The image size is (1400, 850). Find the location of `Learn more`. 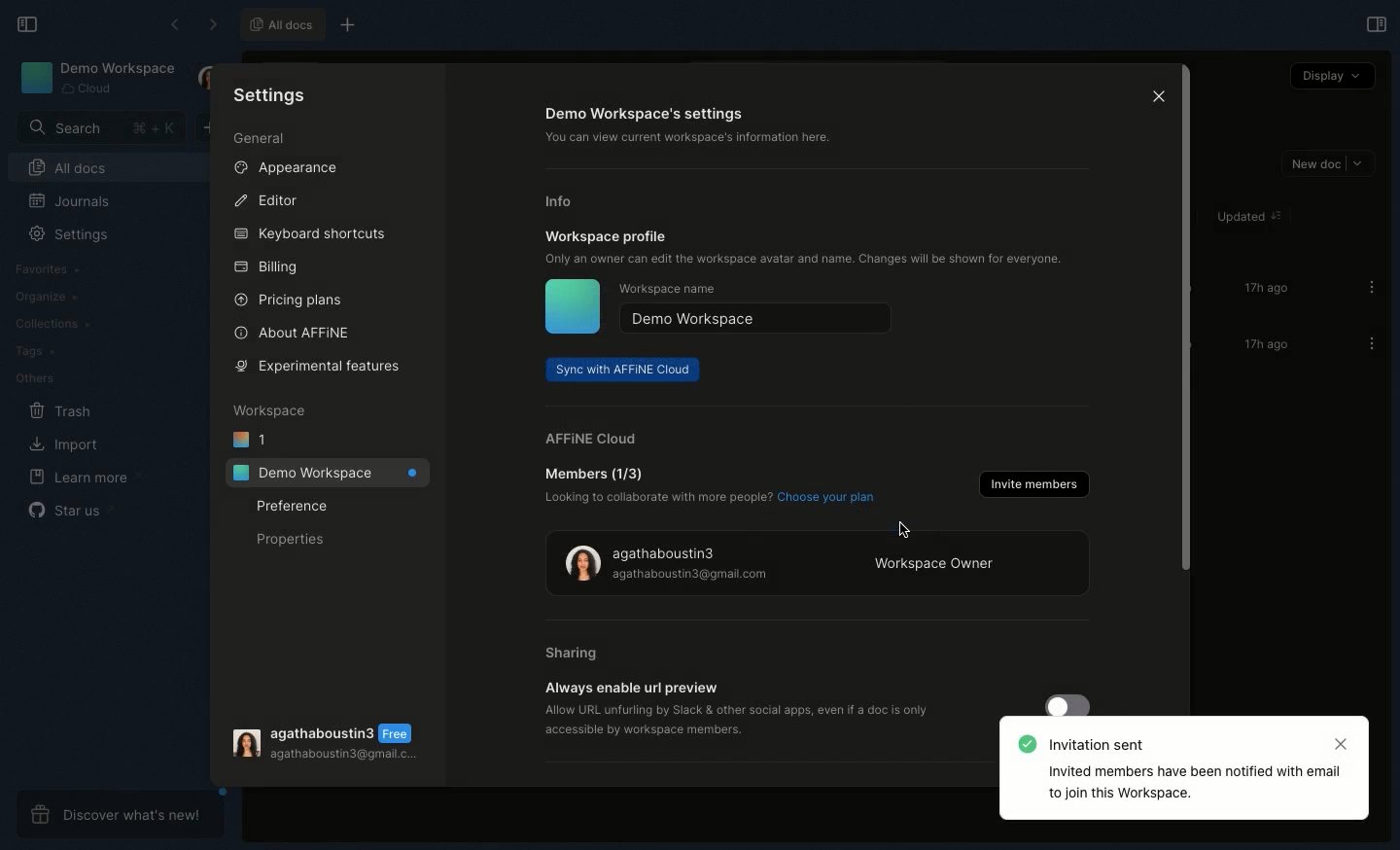

Learn more is located at coordinates (82, 478).